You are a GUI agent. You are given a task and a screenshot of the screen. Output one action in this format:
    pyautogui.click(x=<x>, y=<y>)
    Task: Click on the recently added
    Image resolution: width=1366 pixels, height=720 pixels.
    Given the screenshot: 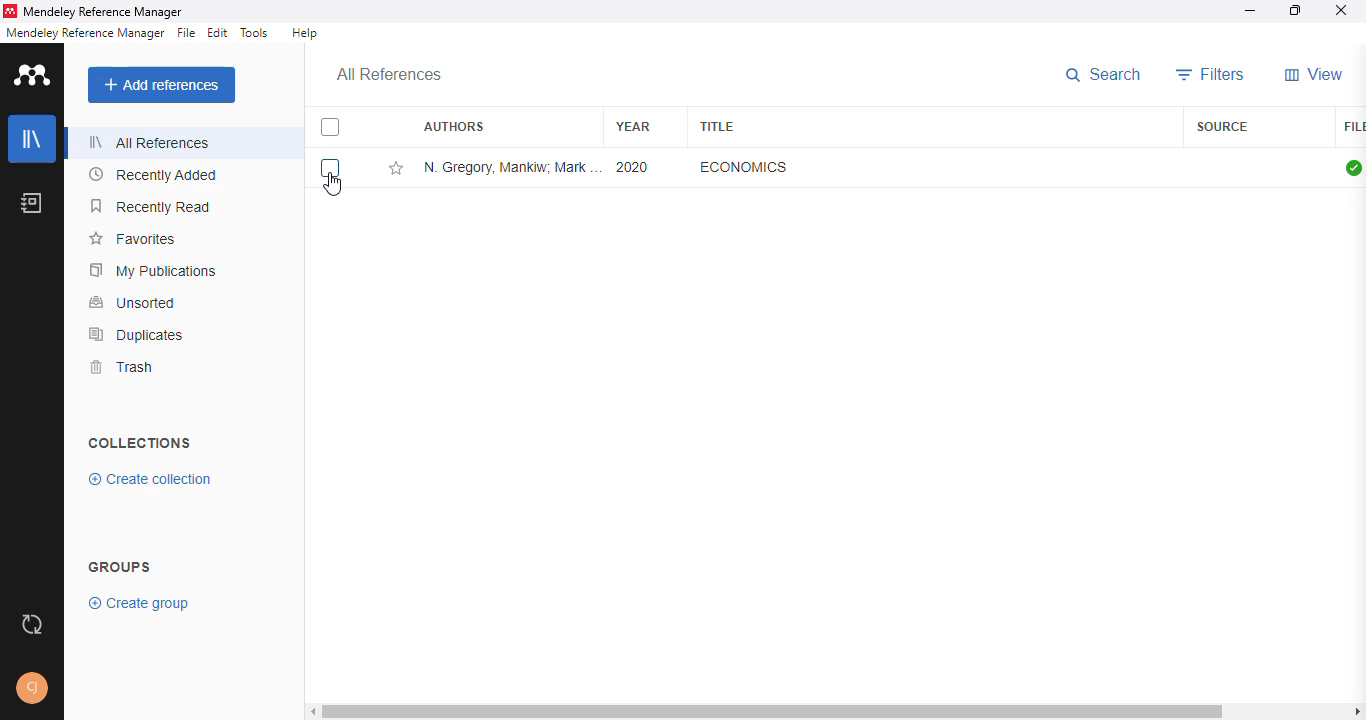 What is the action you would take?
    pyautogui.click(x=155, y=175)
    